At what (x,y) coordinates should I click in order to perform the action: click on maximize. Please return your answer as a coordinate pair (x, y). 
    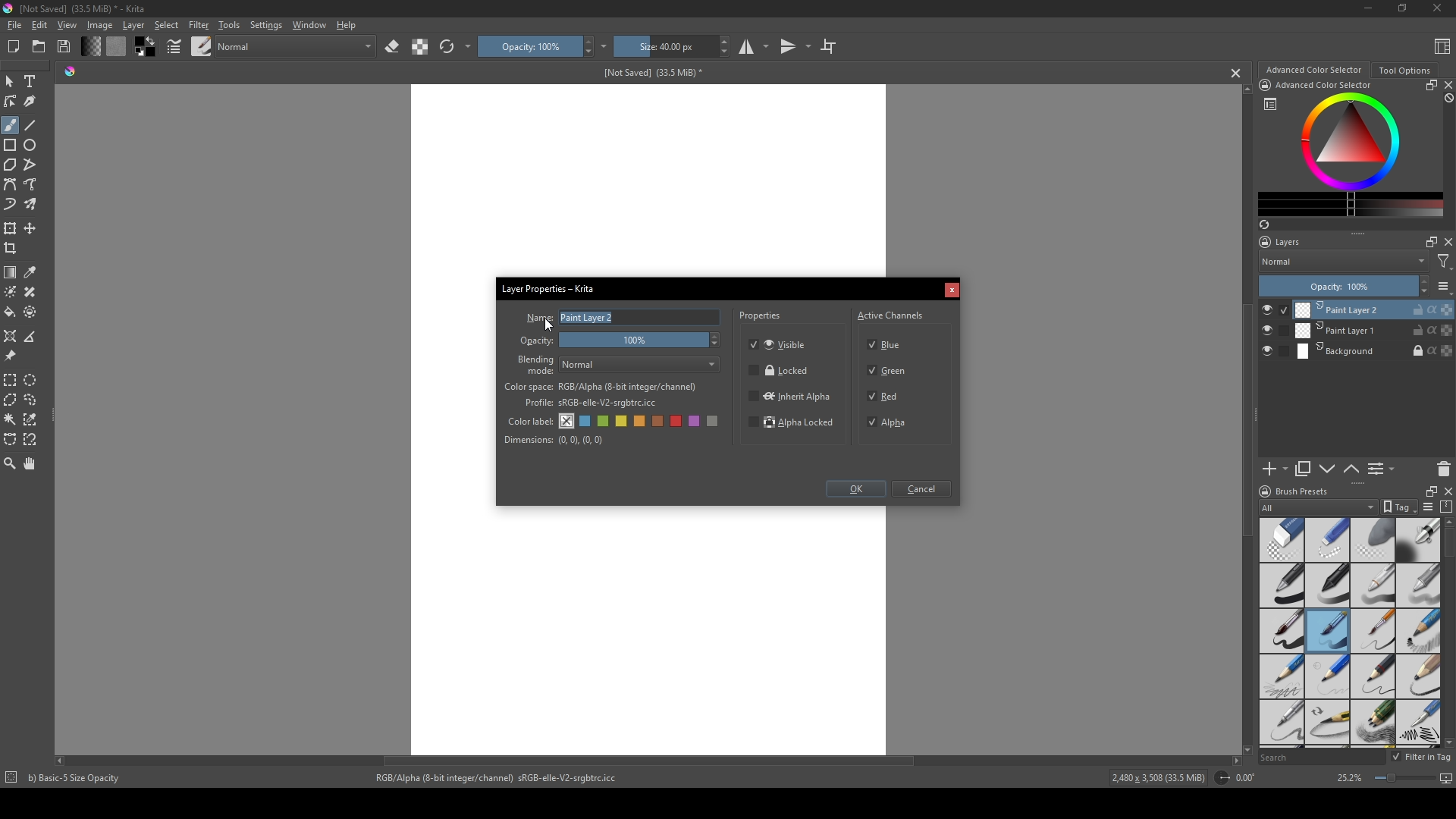
    Looking at the image, I should click on (1428, 241).